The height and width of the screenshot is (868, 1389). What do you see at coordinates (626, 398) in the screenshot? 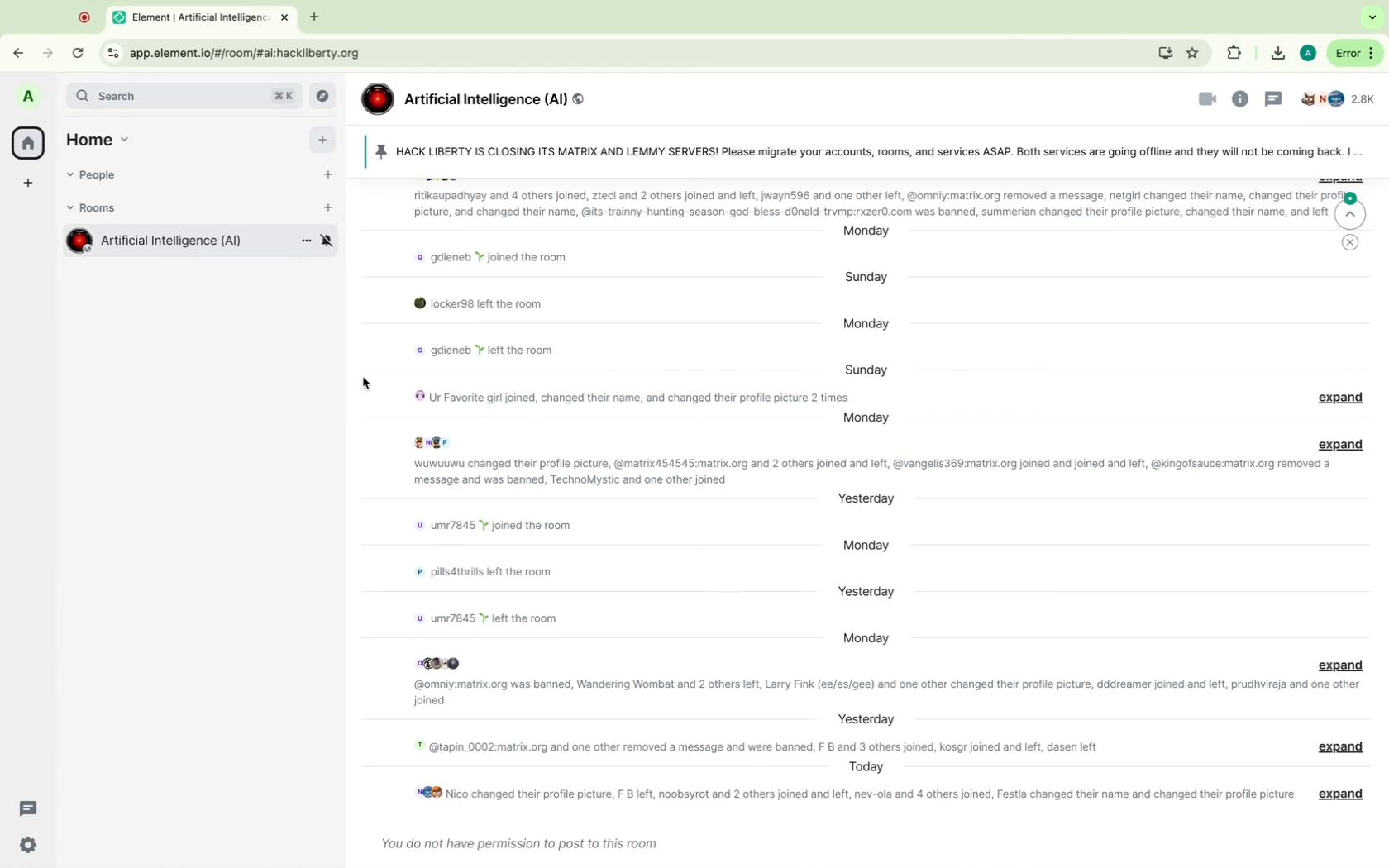
I see `message` at bounding box center [626, 398].